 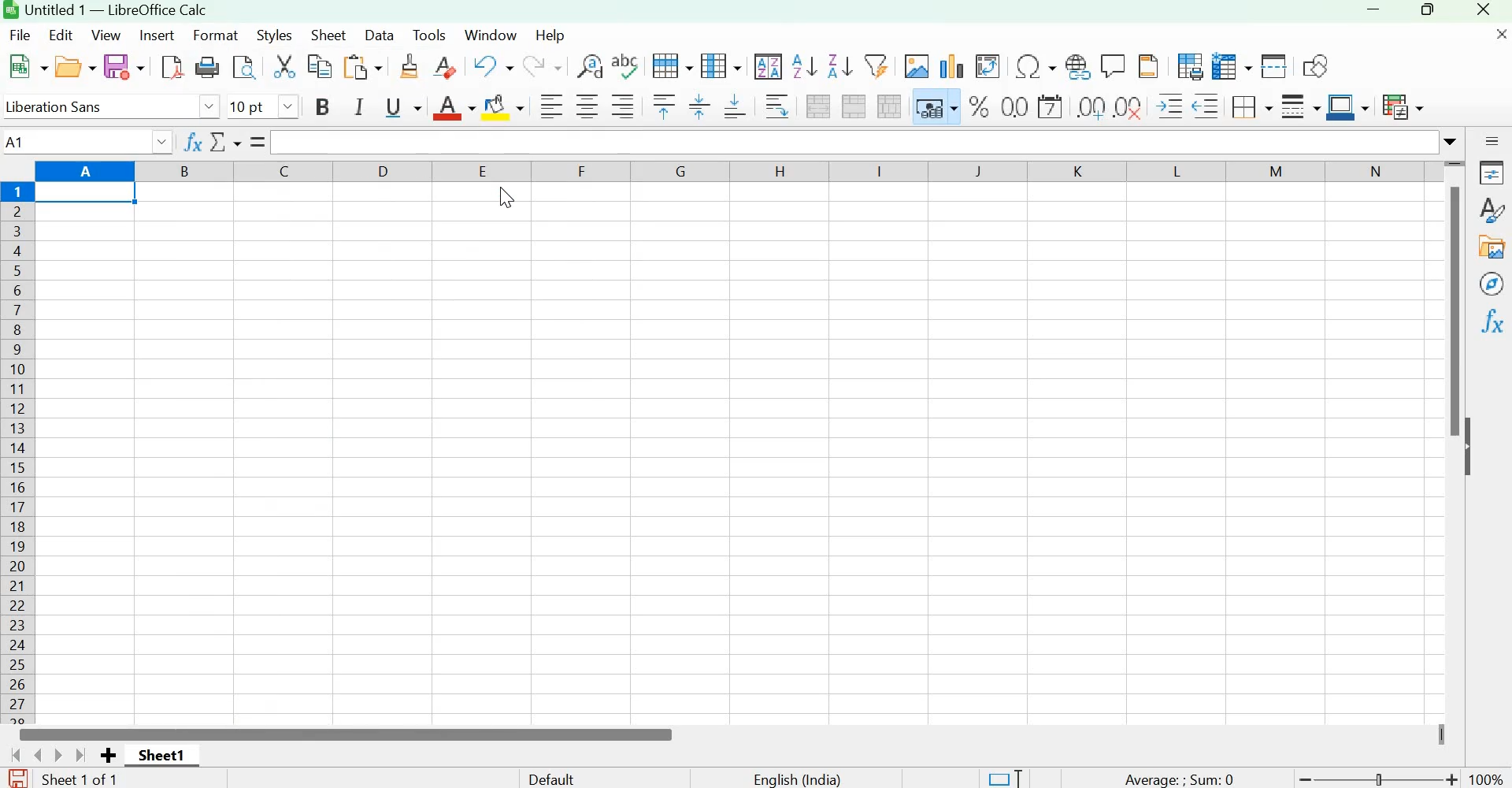 I want to click on Untitled 1 - LibreOffice Calc, so click(x=117, y=11).